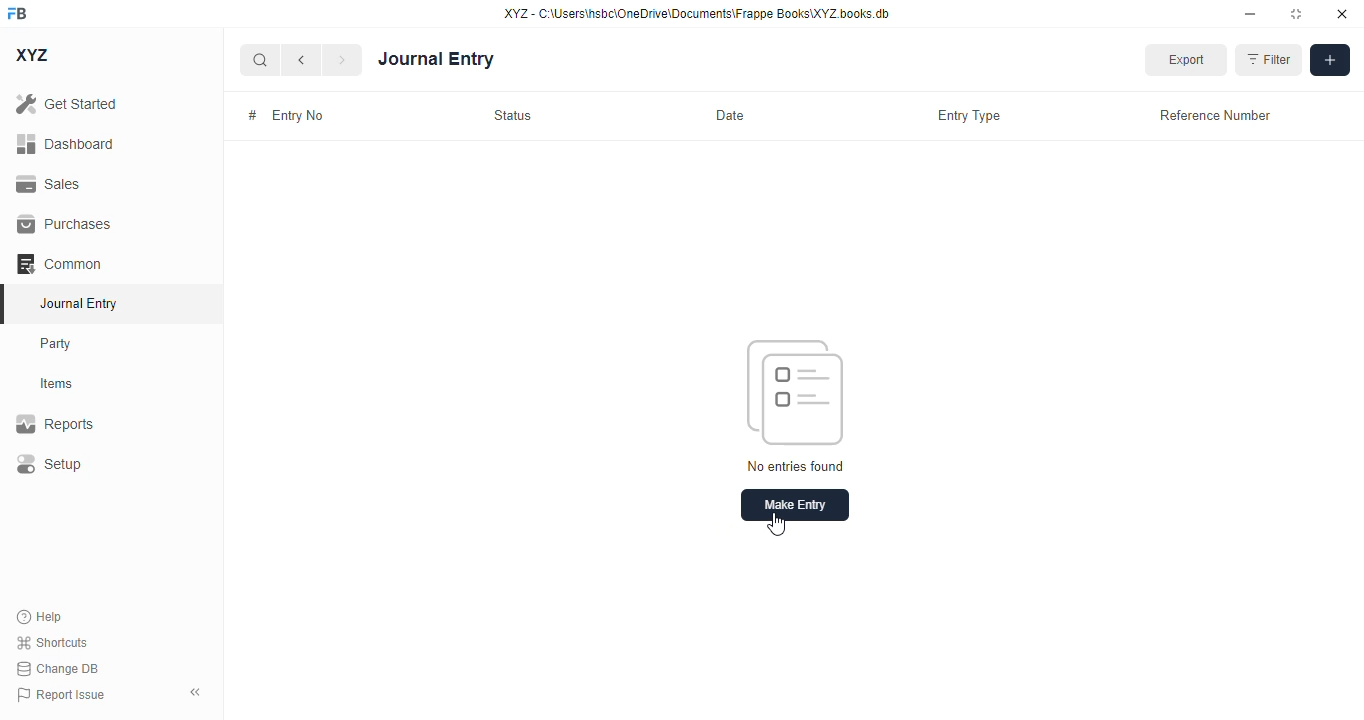  Describe the element at coordinates (730, 115) in the screenshot. I see `date` at that location.